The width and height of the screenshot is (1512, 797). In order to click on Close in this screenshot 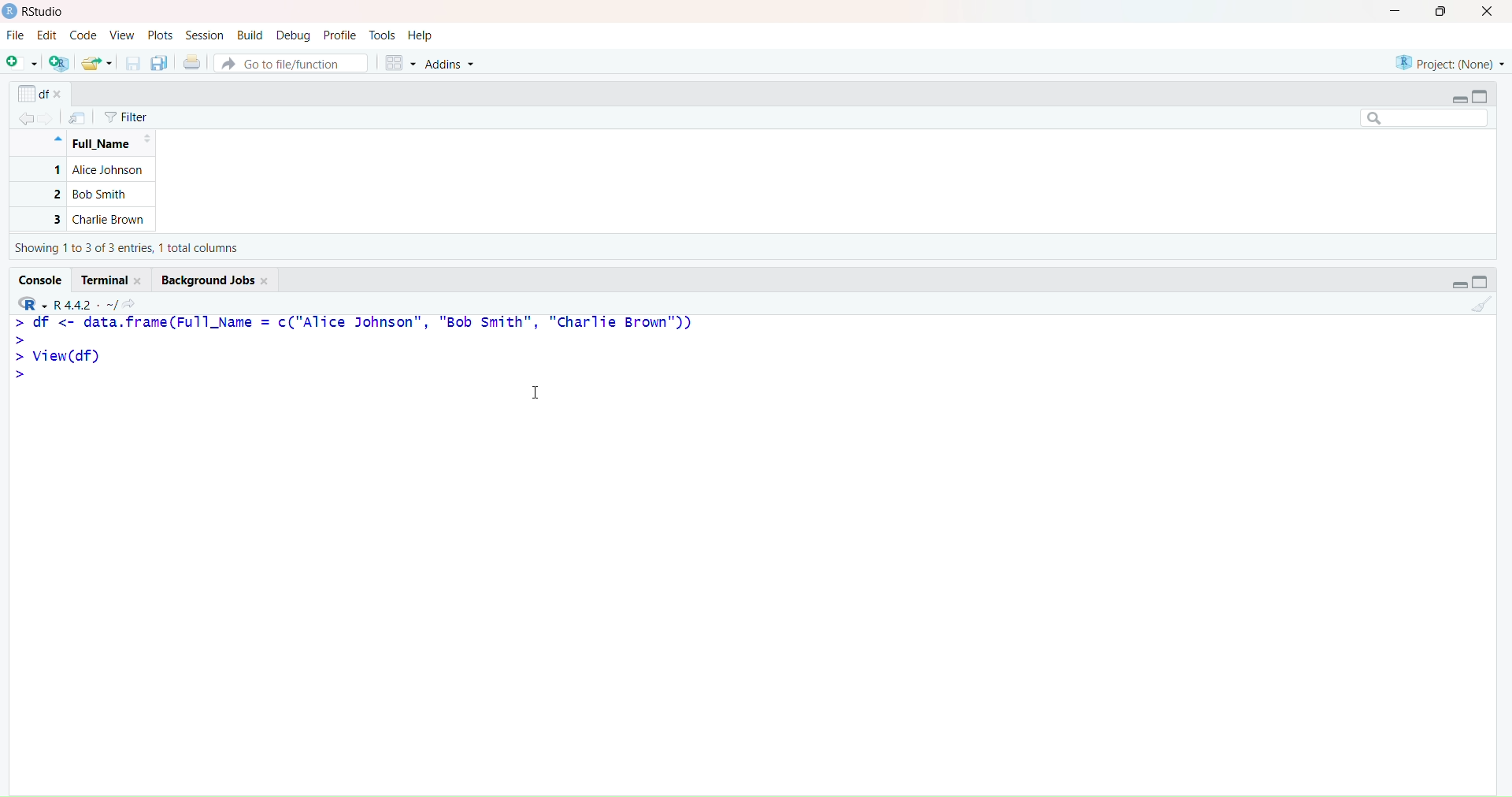, I will do `click(1490, 13)`.